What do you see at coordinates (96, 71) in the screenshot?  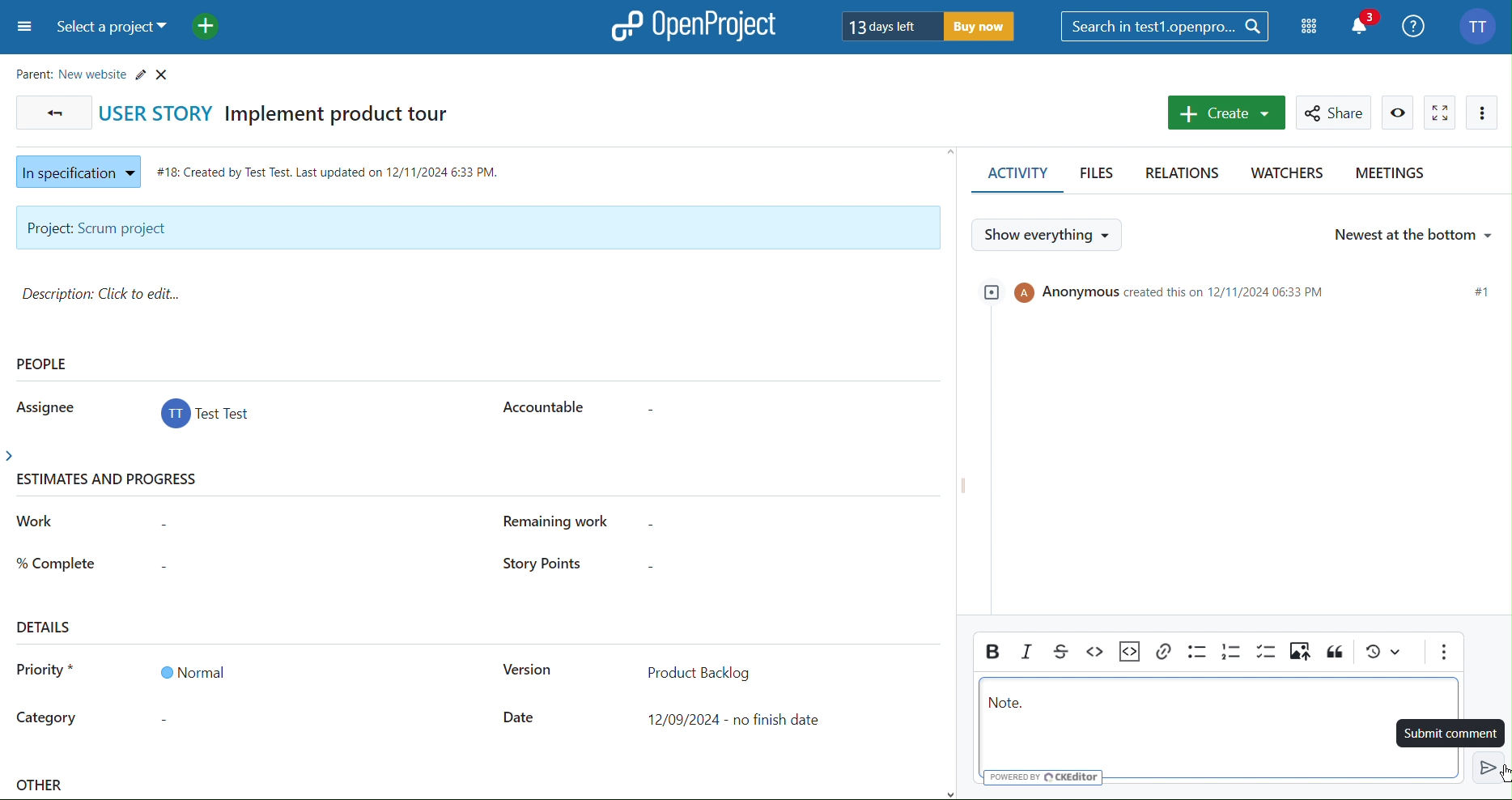 I see `Parent new website` at bounding box center [96, 71].